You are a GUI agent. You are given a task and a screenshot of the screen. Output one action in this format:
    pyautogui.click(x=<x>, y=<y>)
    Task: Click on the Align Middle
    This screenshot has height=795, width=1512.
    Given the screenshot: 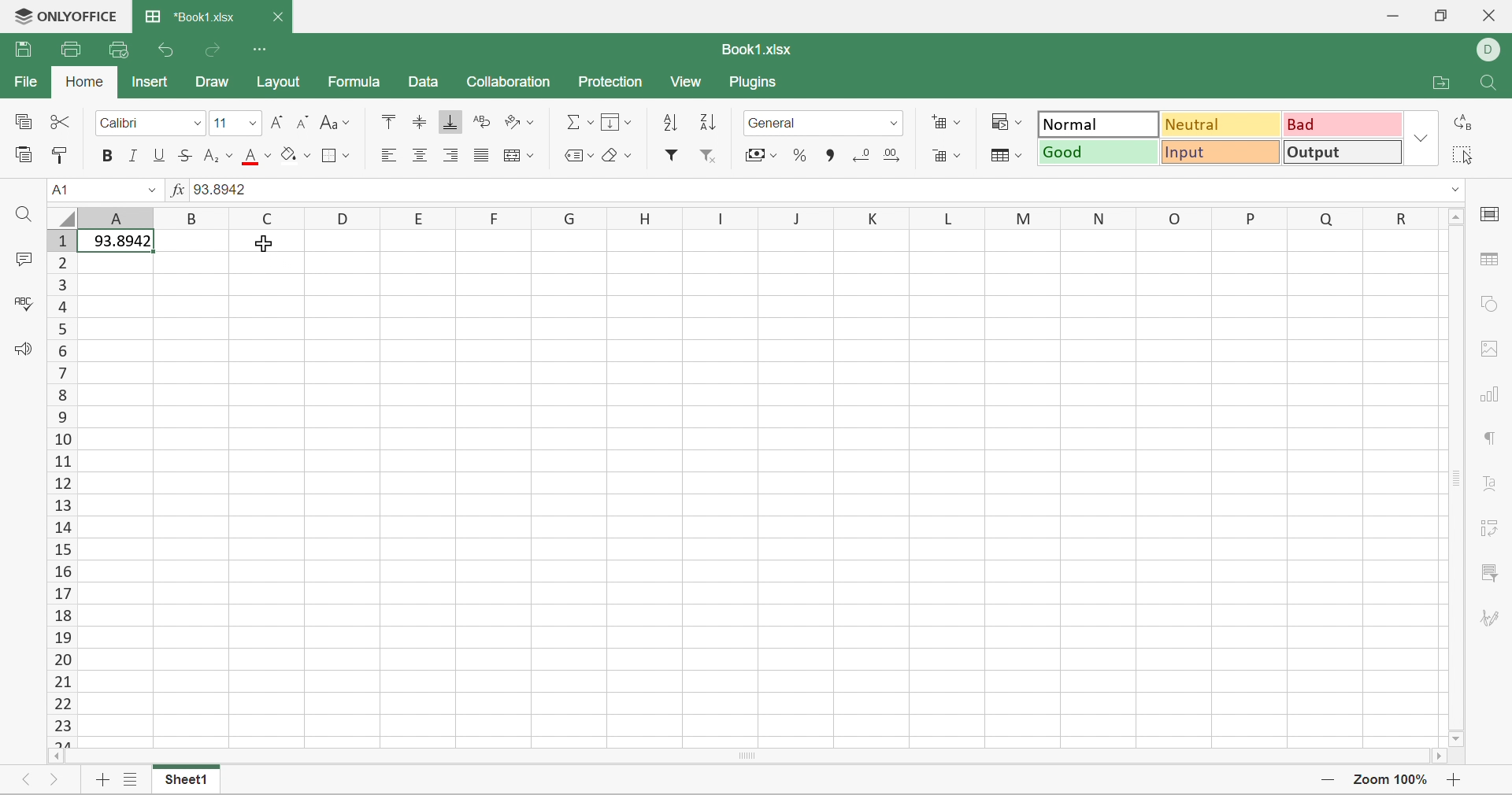 What is the action you would take?
    pyautogui.click(x=420, y=121)
    